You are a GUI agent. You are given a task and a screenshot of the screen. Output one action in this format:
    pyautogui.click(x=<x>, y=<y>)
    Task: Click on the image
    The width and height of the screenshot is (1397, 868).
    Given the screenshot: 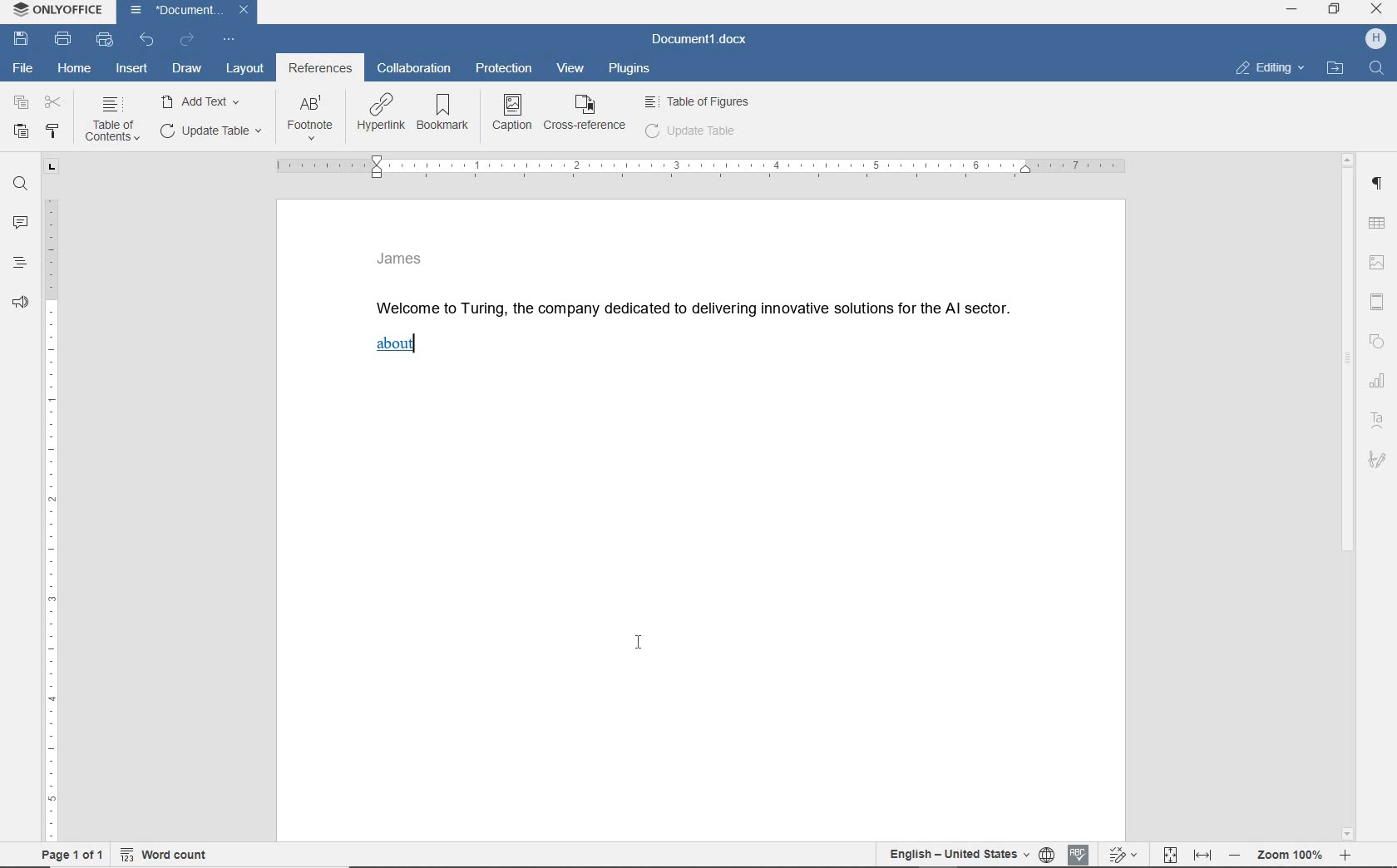 What is the action you would take?
    pyautogui.click(x=1380, y=259)
    